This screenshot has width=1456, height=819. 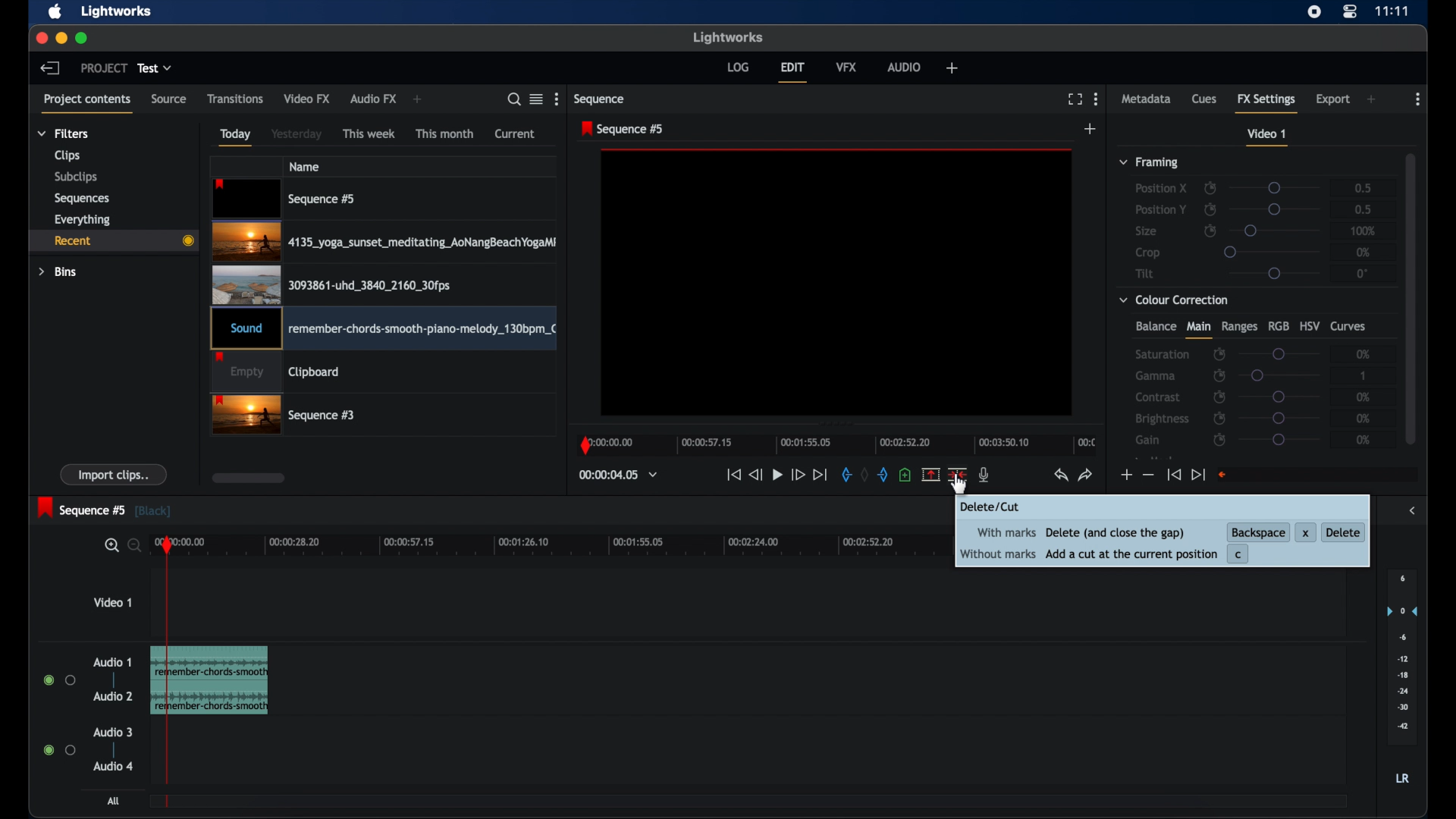 I want to click on lightworks, so click(x=728, y=38).